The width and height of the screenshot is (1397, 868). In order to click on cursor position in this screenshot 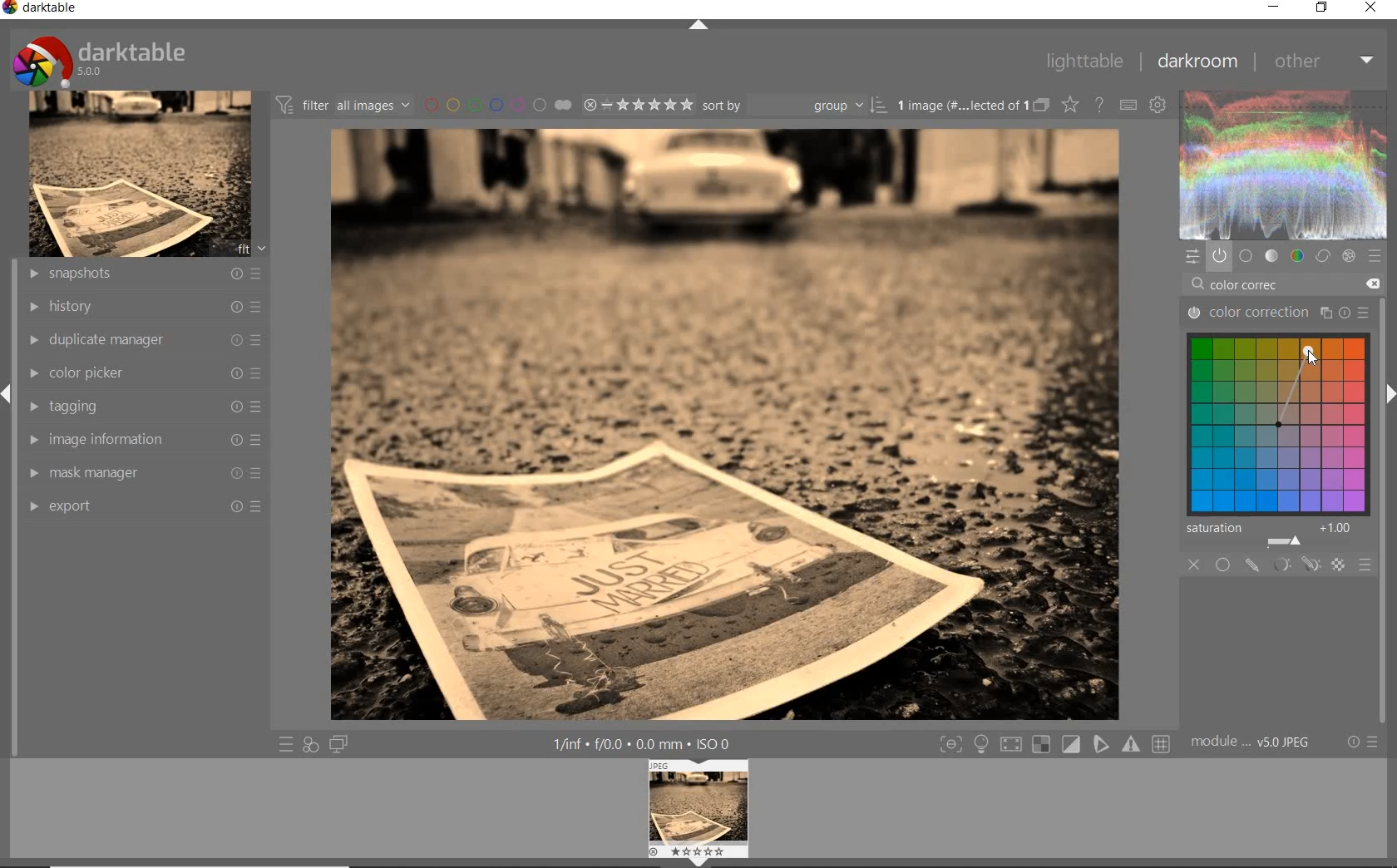, I will do `click(1311, 356)`.